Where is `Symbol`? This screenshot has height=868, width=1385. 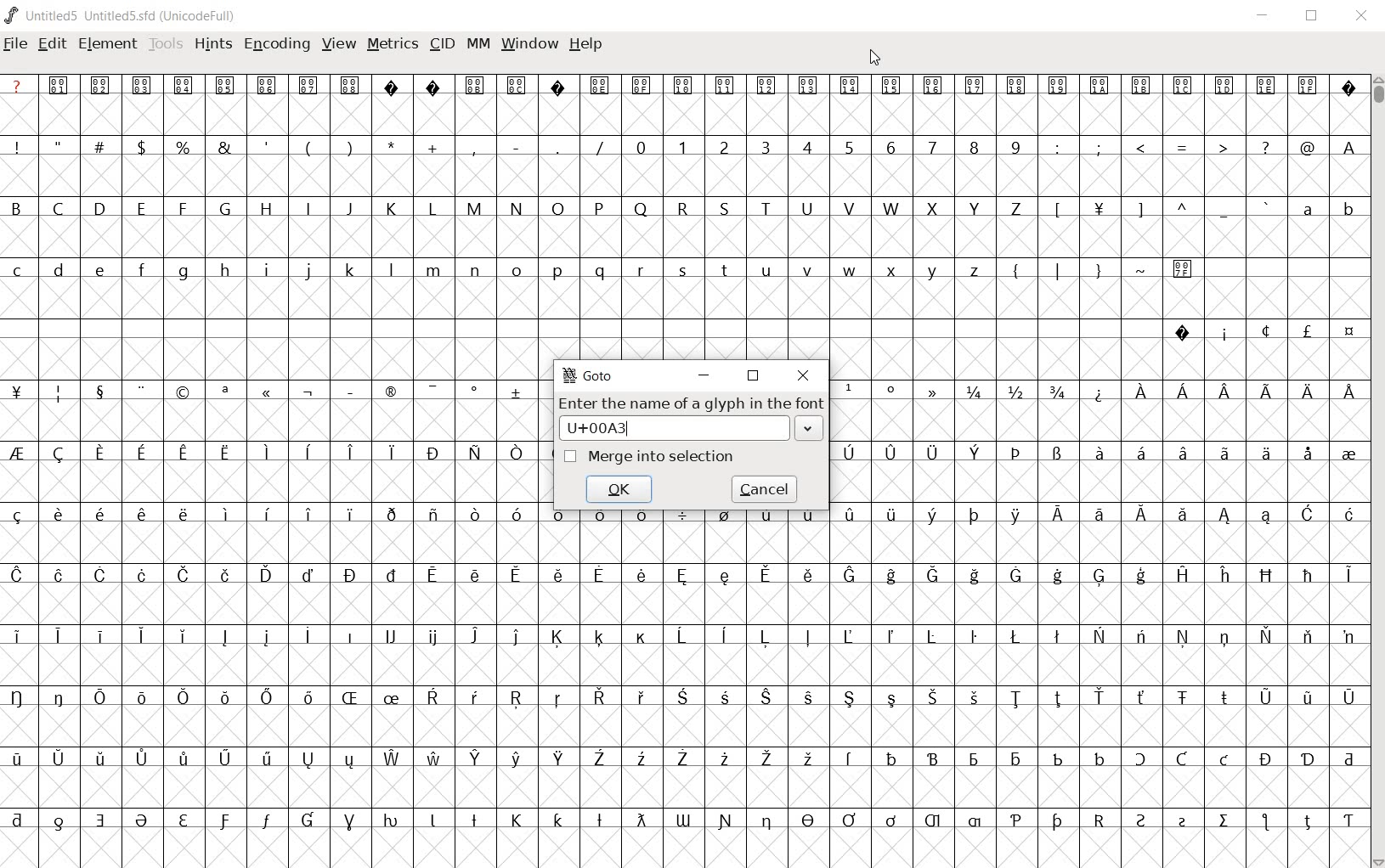
Symbol is located at coordinates (307, 698).